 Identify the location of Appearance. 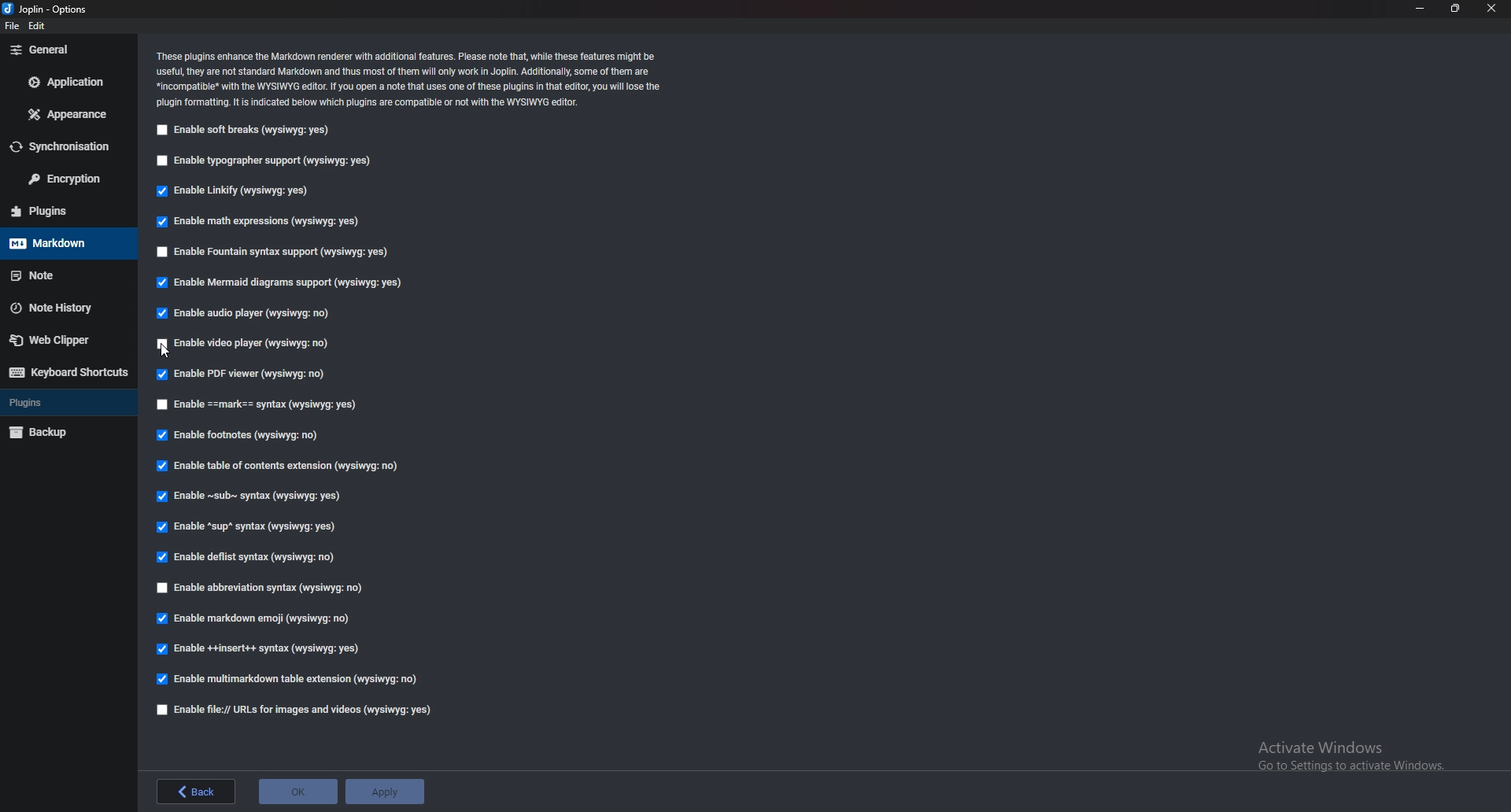
(66, 116).